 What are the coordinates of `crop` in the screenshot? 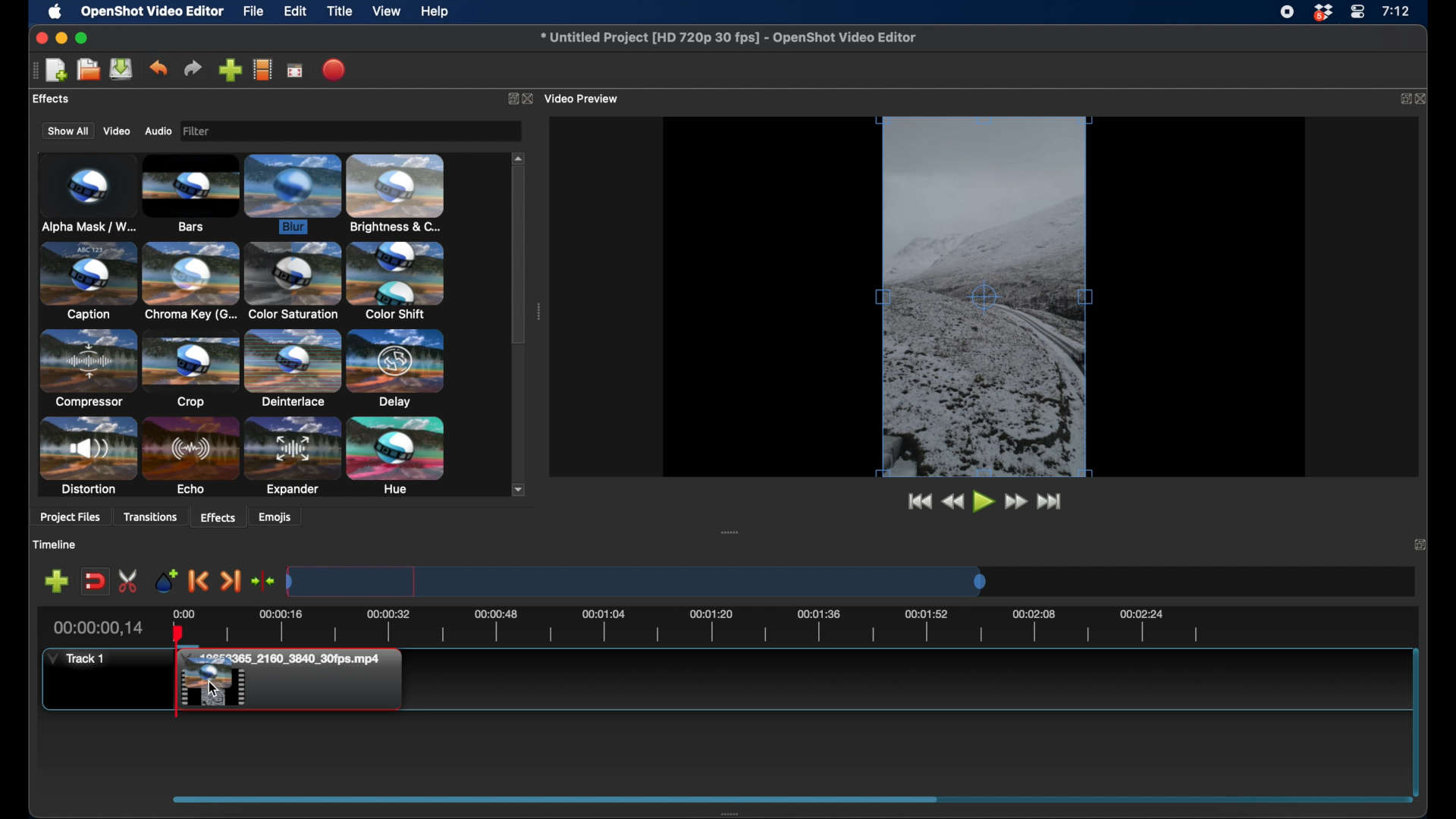 It's located at (190, 369).